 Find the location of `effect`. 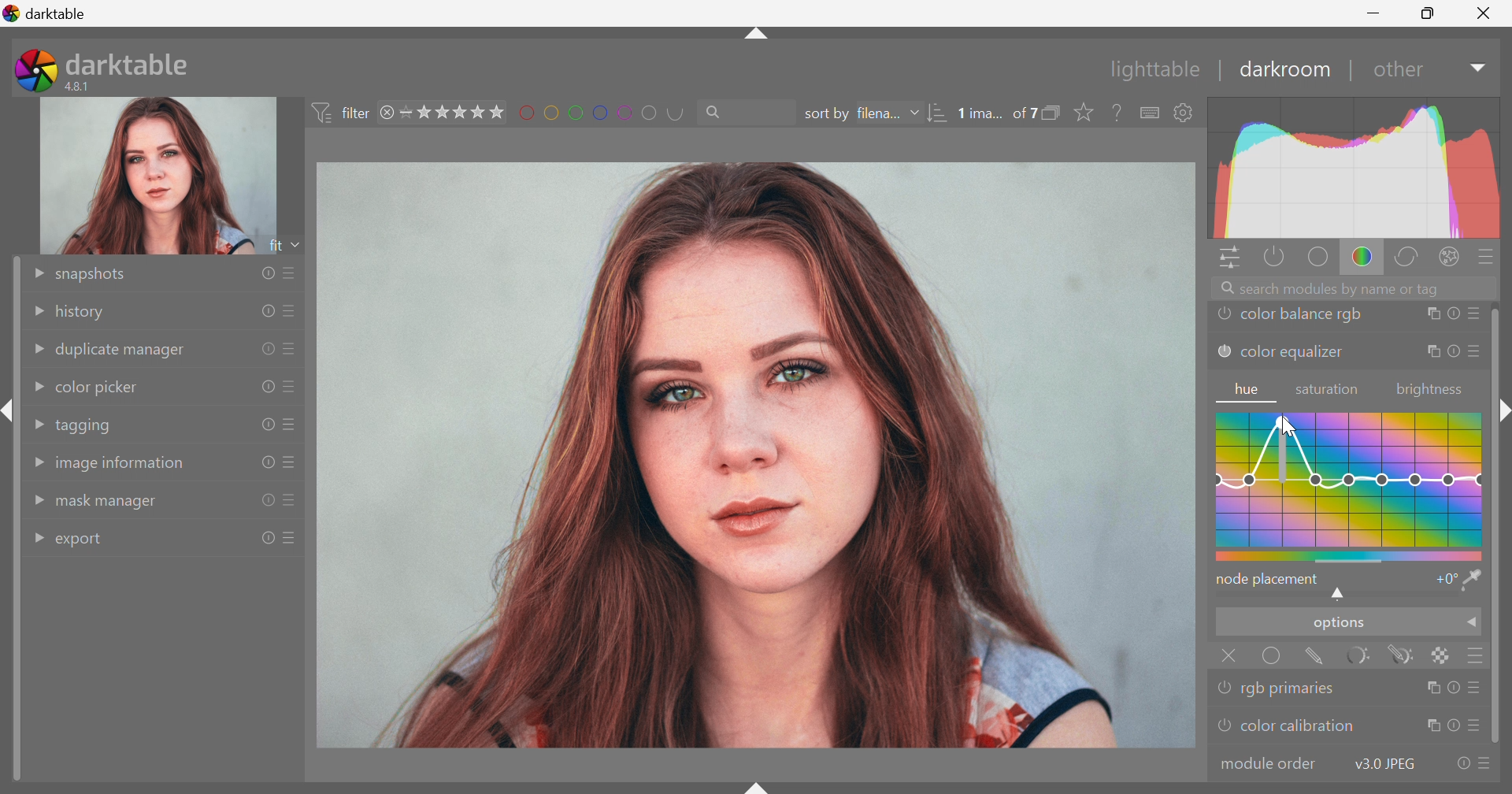

effect is located at coordinates (1450, 255).